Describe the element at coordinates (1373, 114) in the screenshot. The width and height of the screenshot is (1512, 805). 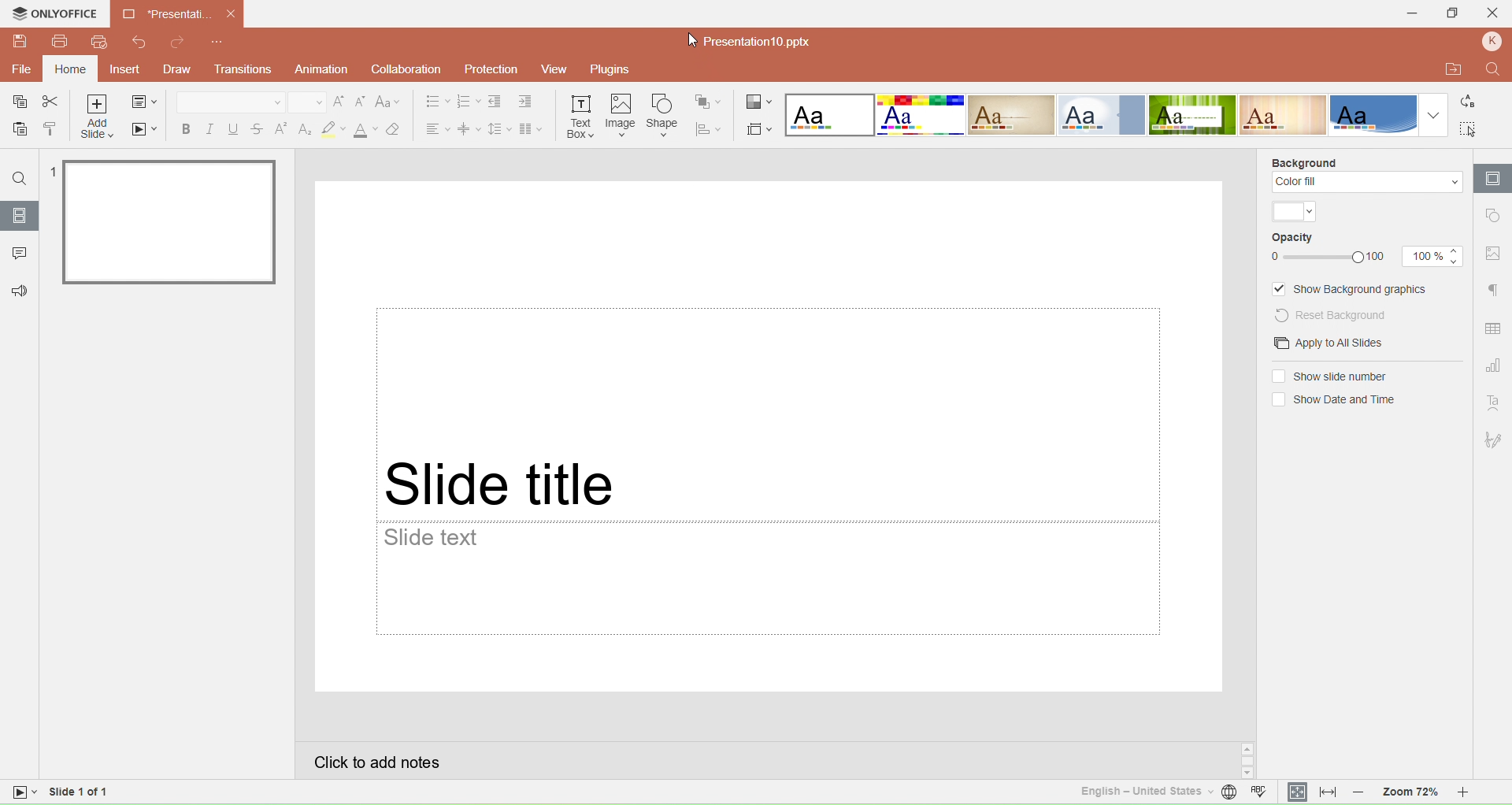
I see `Office` at that location.